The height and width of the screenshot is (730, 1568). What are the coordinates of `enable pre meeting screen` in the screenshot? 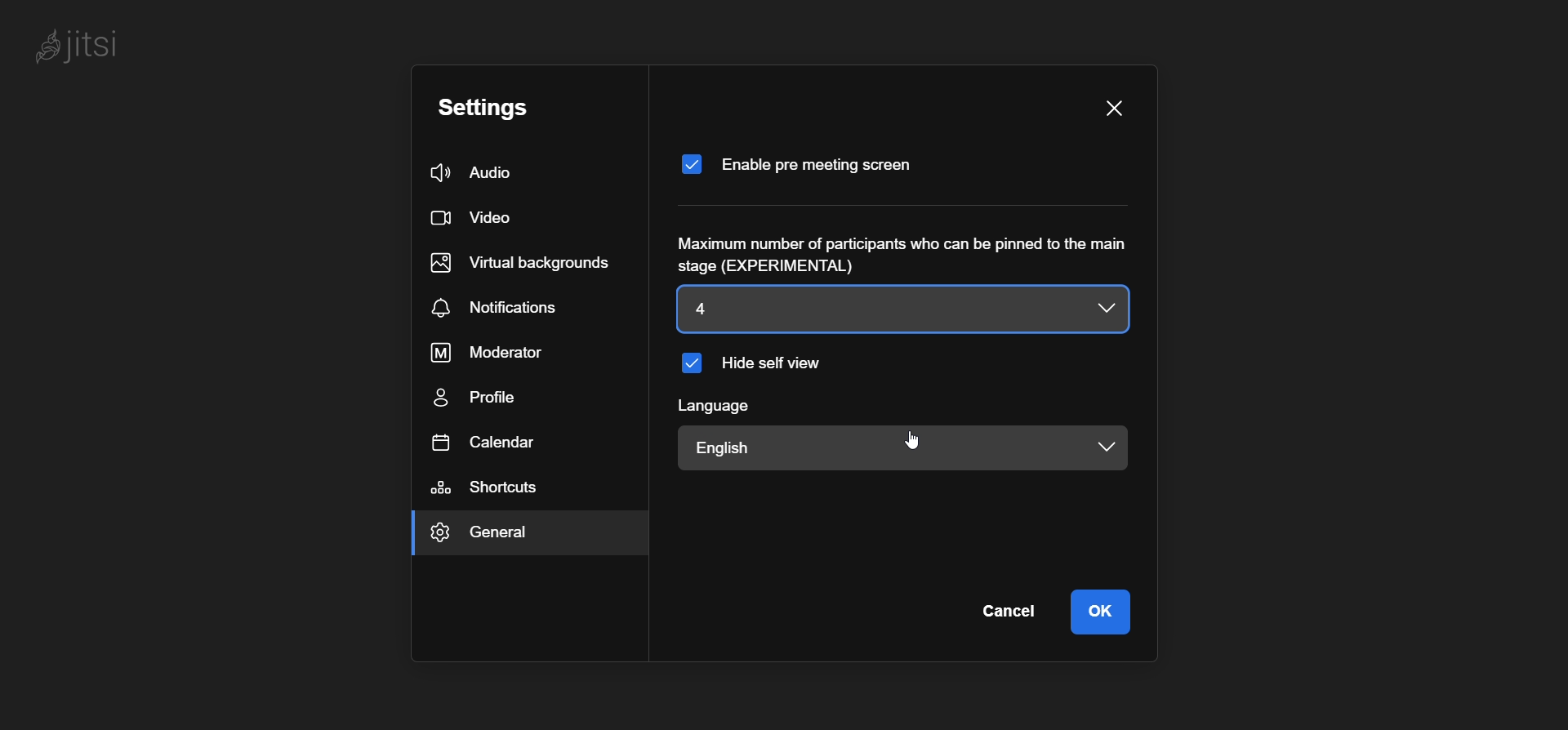 It's located at (803, 163).